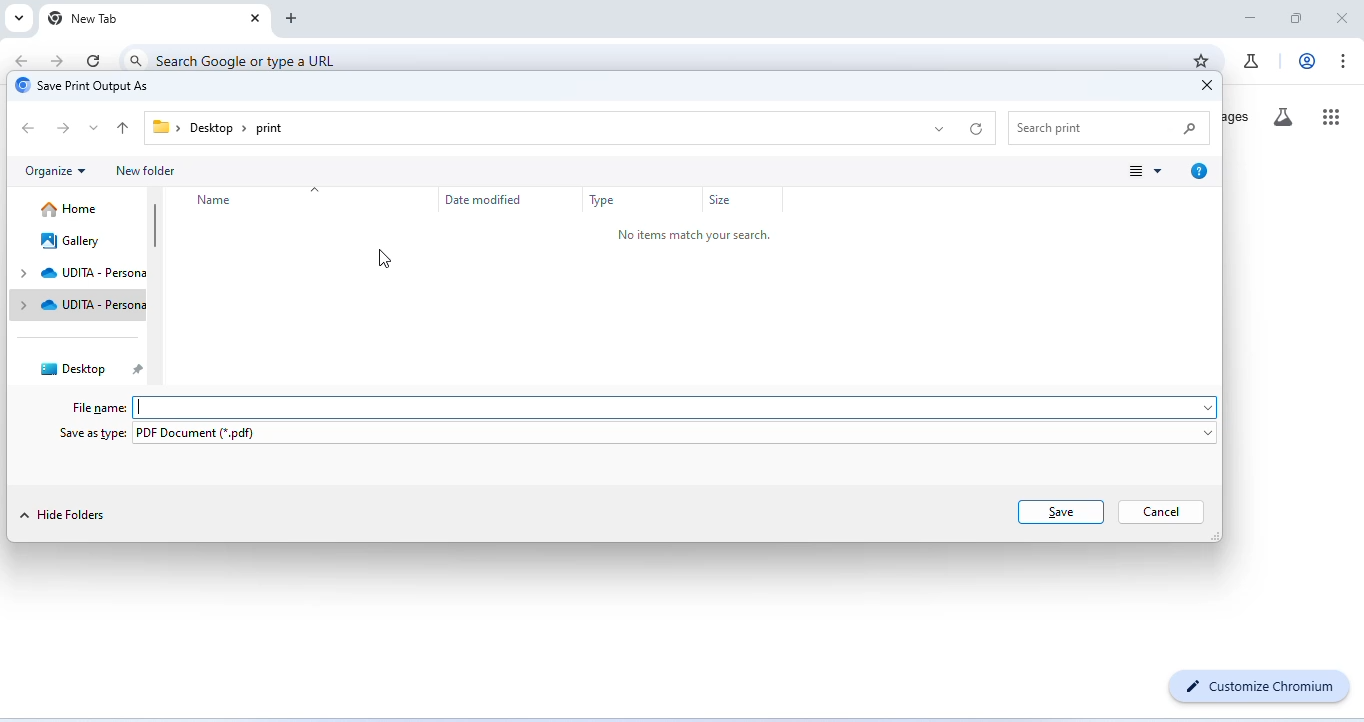 The width and height of the screenshot is (1364, 722). I want to click on desktop, so click(85, 369).